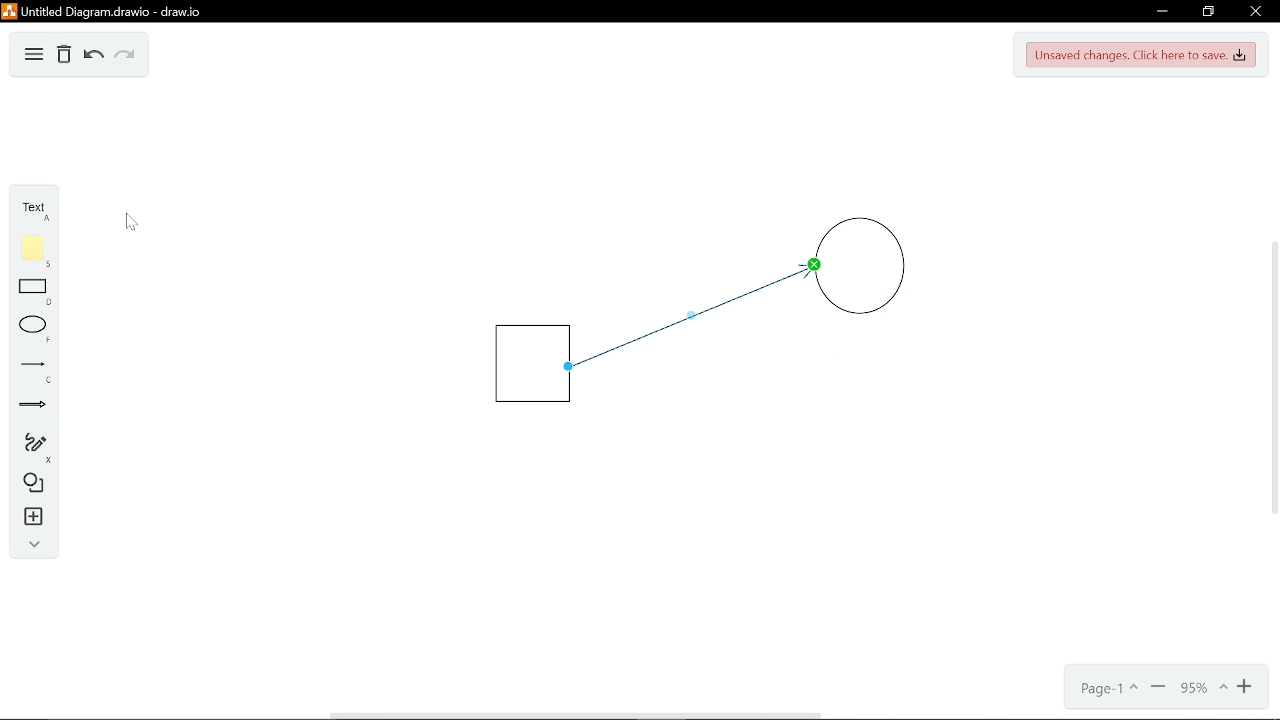 This screenshot has width=1280, height=720. I want to click on Page options, so click(1106, 690).